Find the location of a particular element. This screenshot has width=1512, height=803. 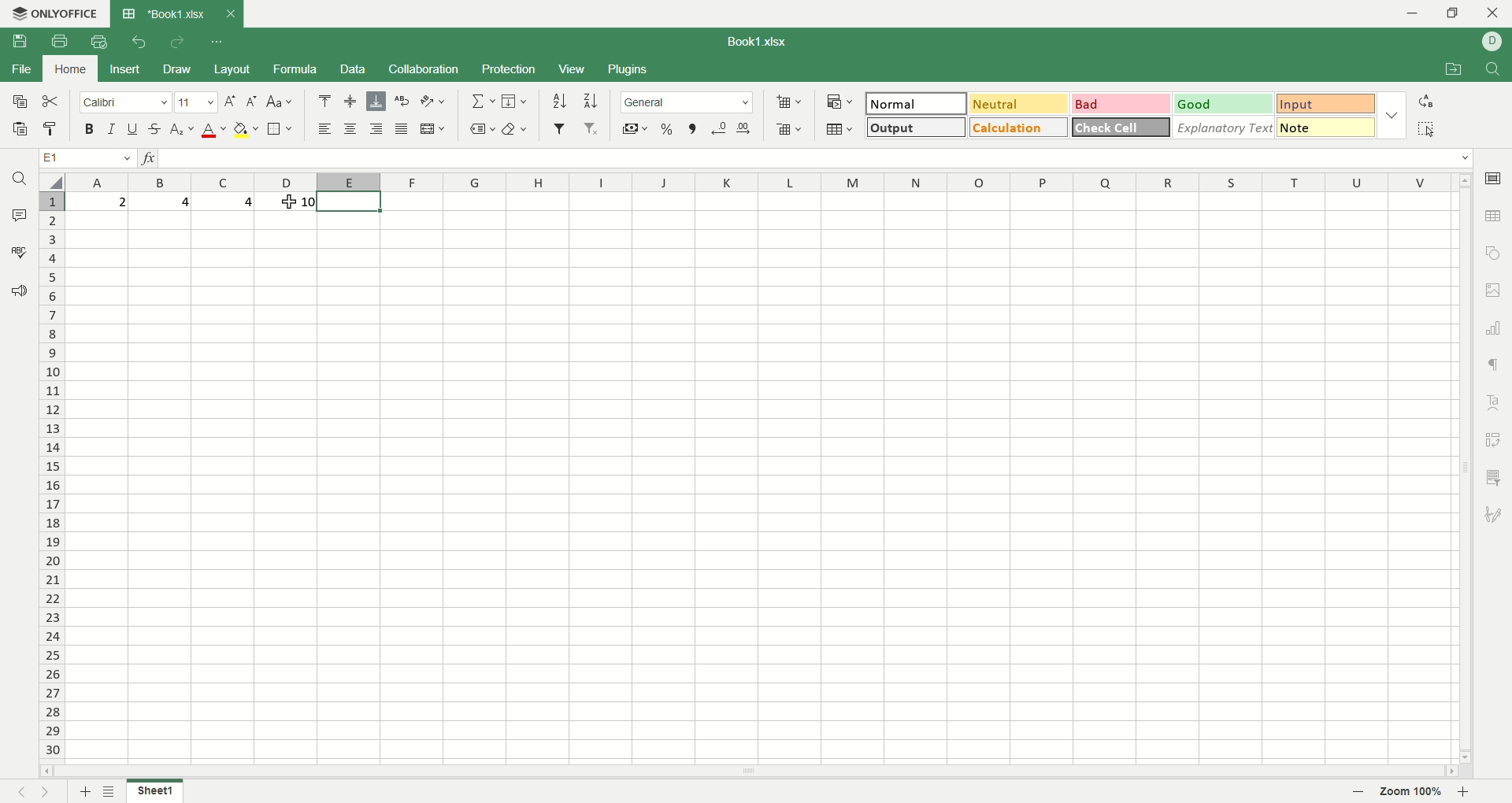

TITLE is located at coordinates (759, 39).